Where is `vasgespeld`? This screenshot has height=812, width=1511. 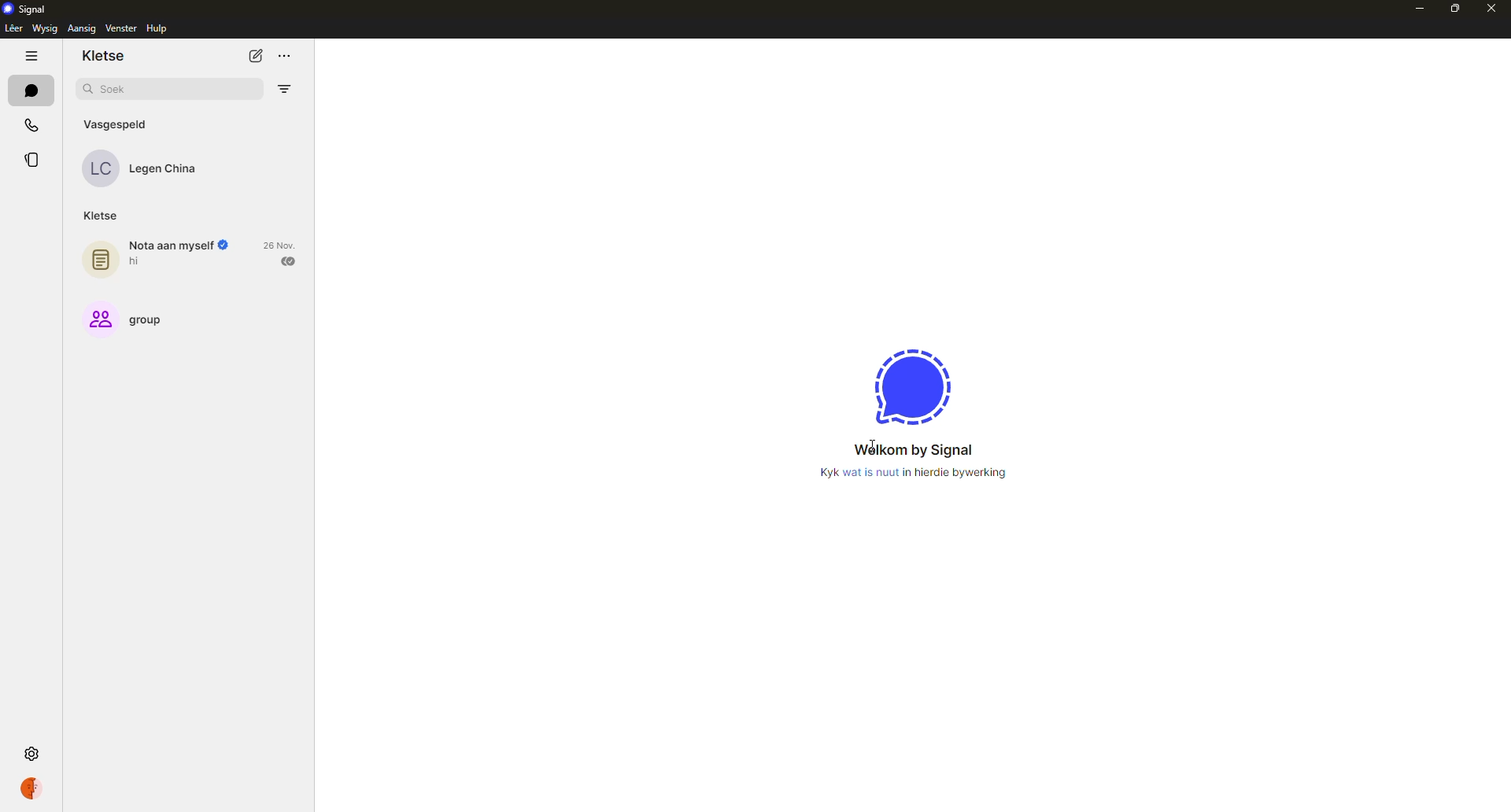
vasgespeld is located at coordinates (119, 122).